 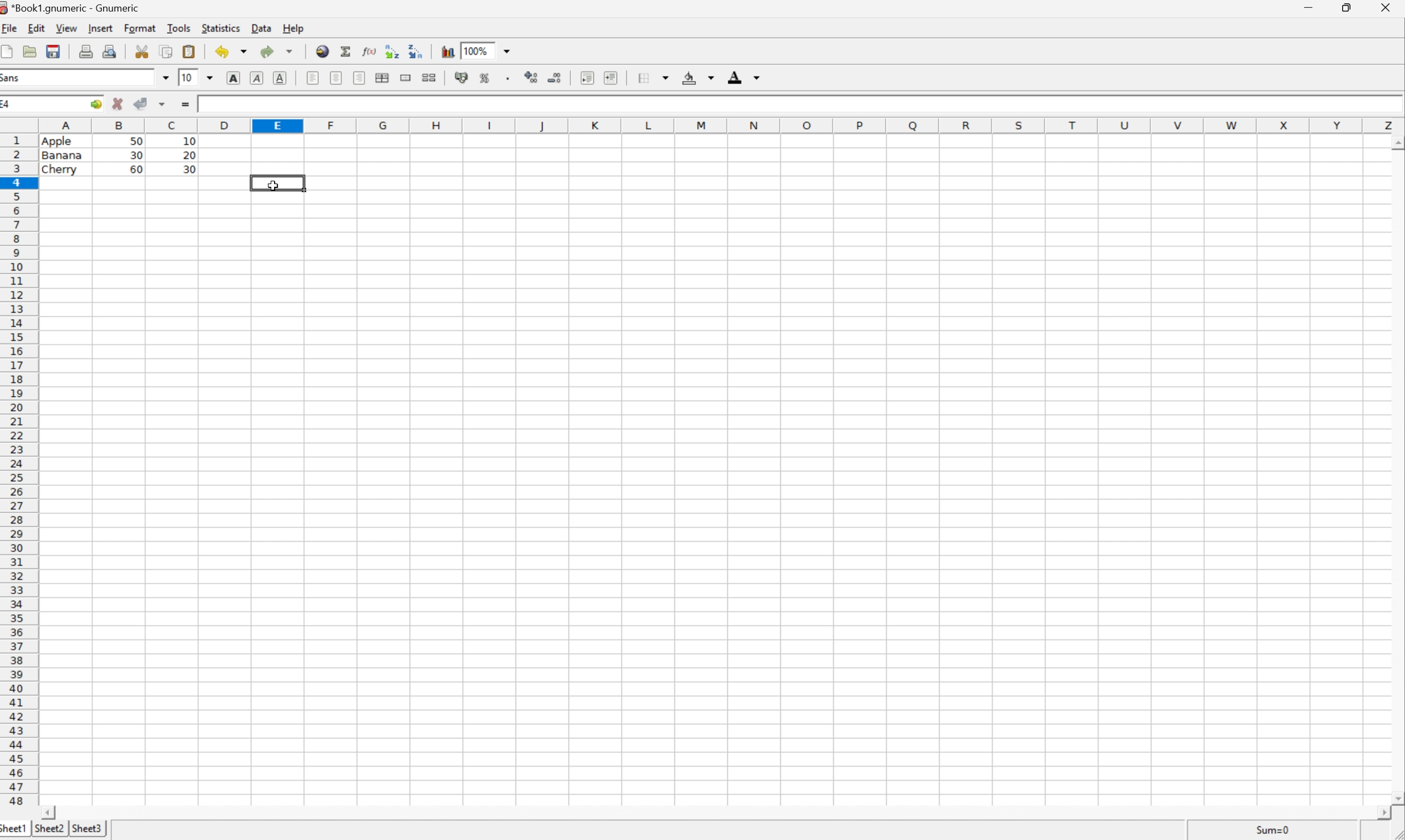 I want to click on edit, so click(x=36, y=28).